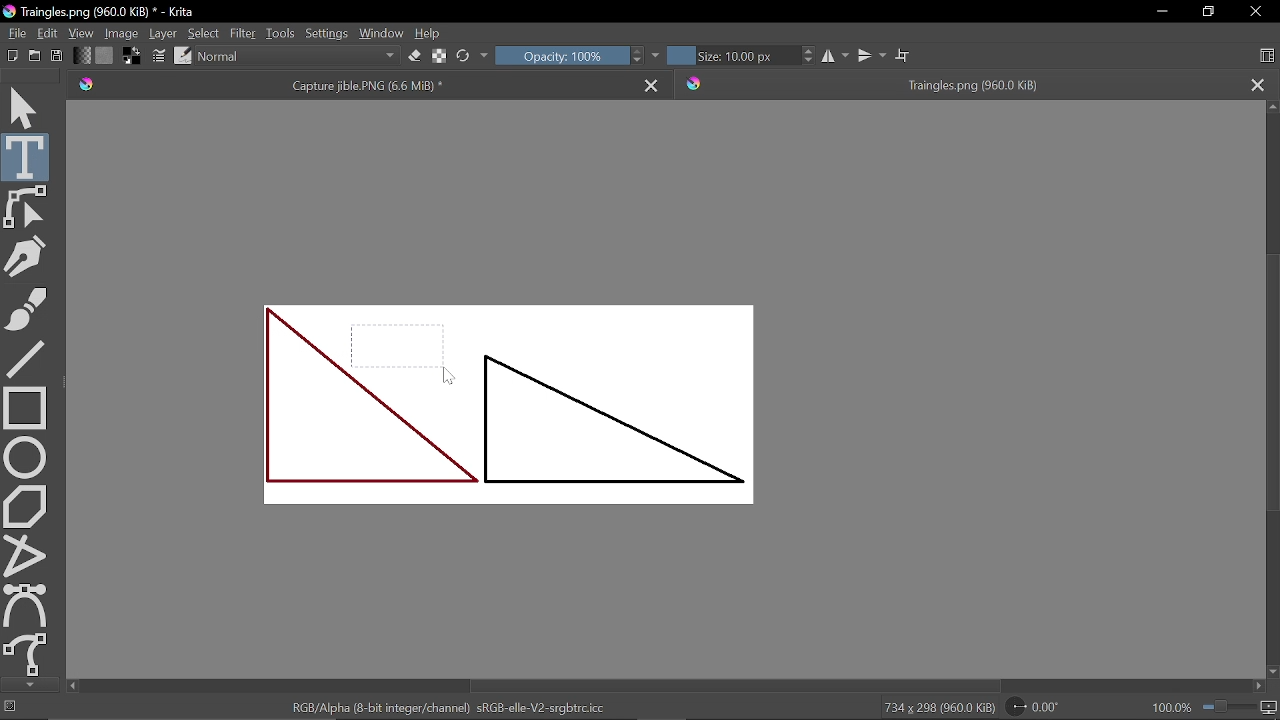 The width and height of the screenshot is (1280, 720). Describe the element at coordinates (730, 55) in the screenshot. I see `Size` at that location.